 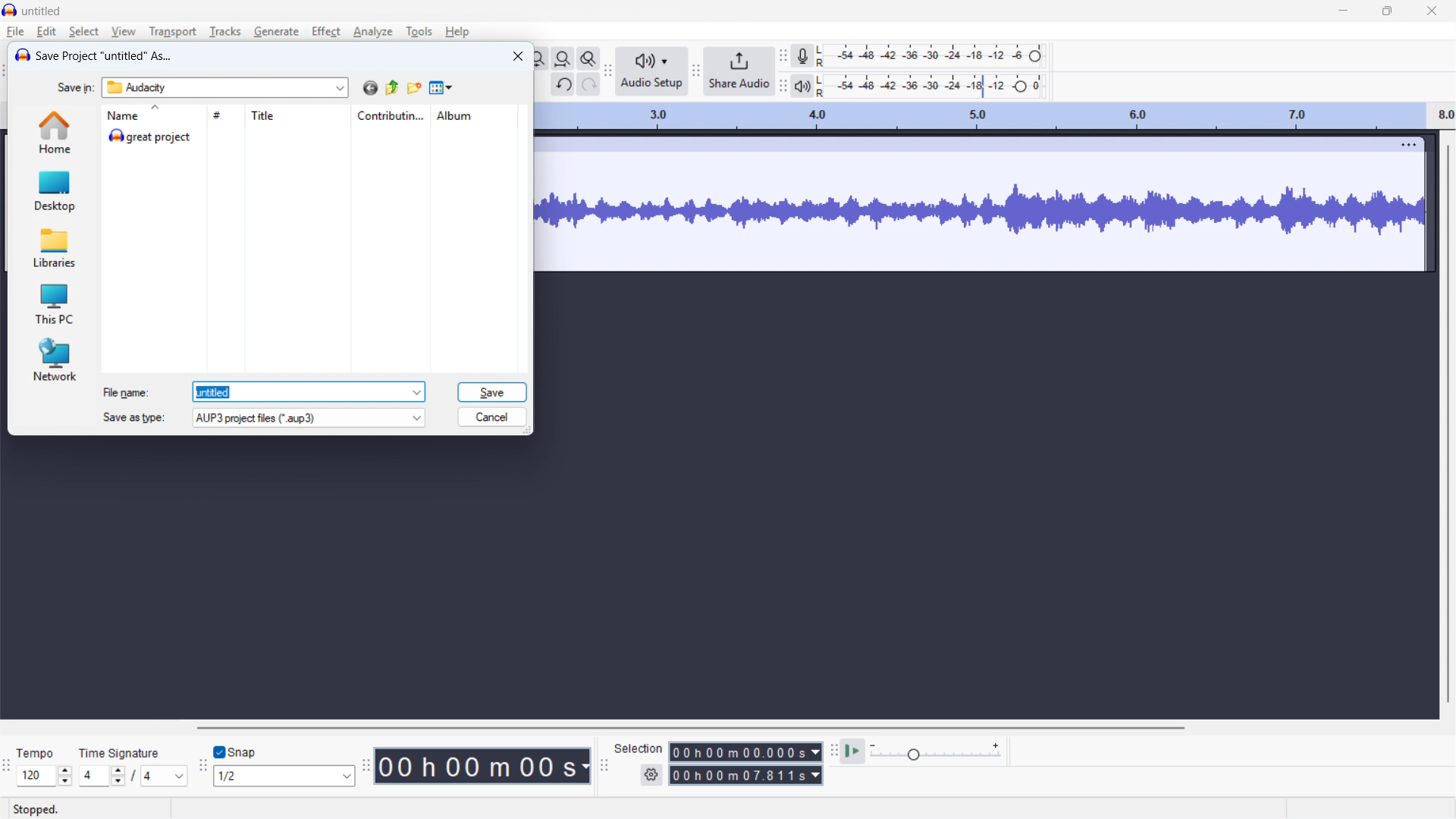 What do you see at coordinates (442, 89) in the screenshot?
I see `view options` at bounding box center [442, 89].